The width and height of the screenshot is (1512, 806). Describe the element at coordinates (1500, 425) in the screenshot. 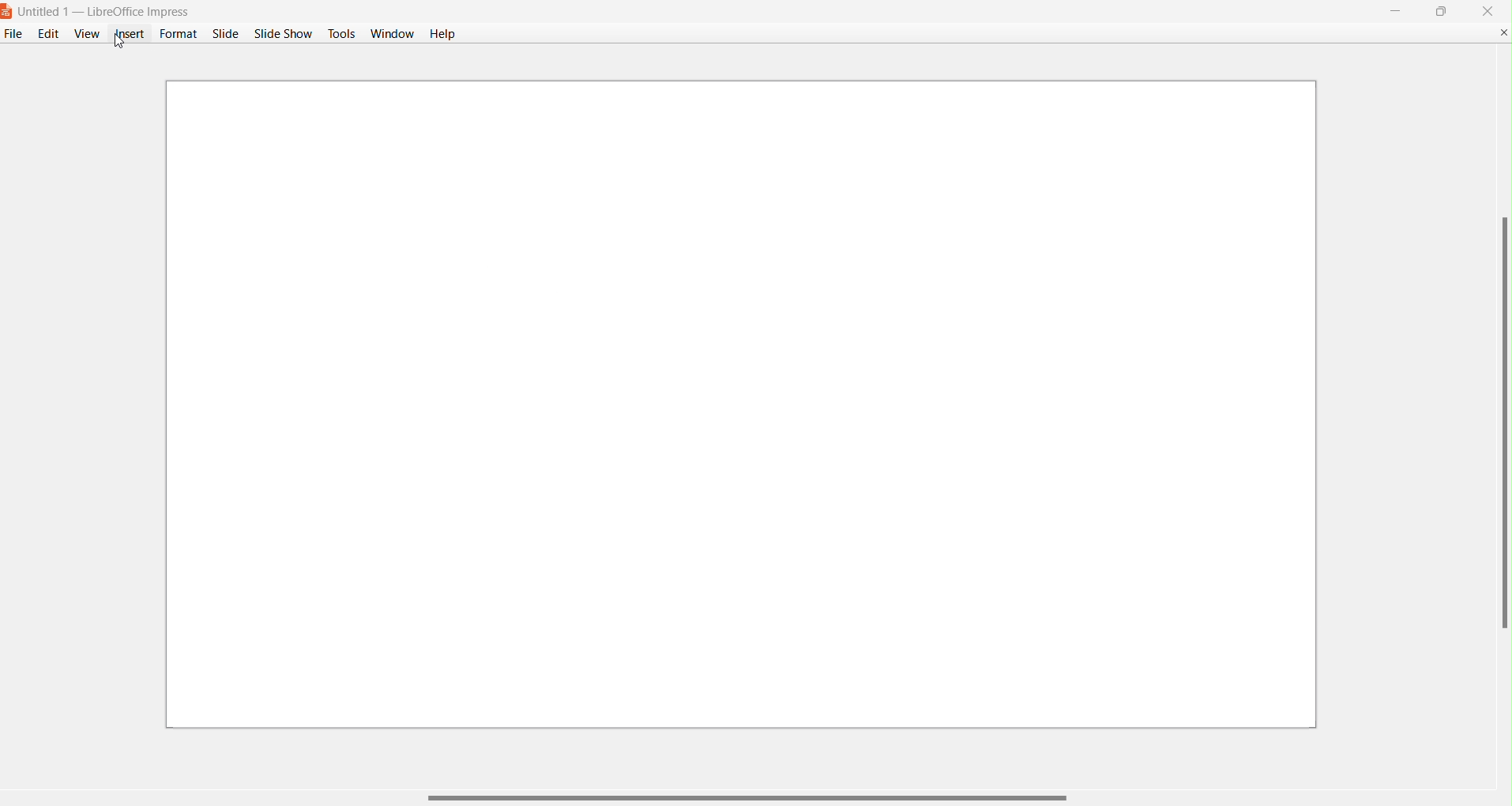

I see `Vertical Scroll Bar` at that location.